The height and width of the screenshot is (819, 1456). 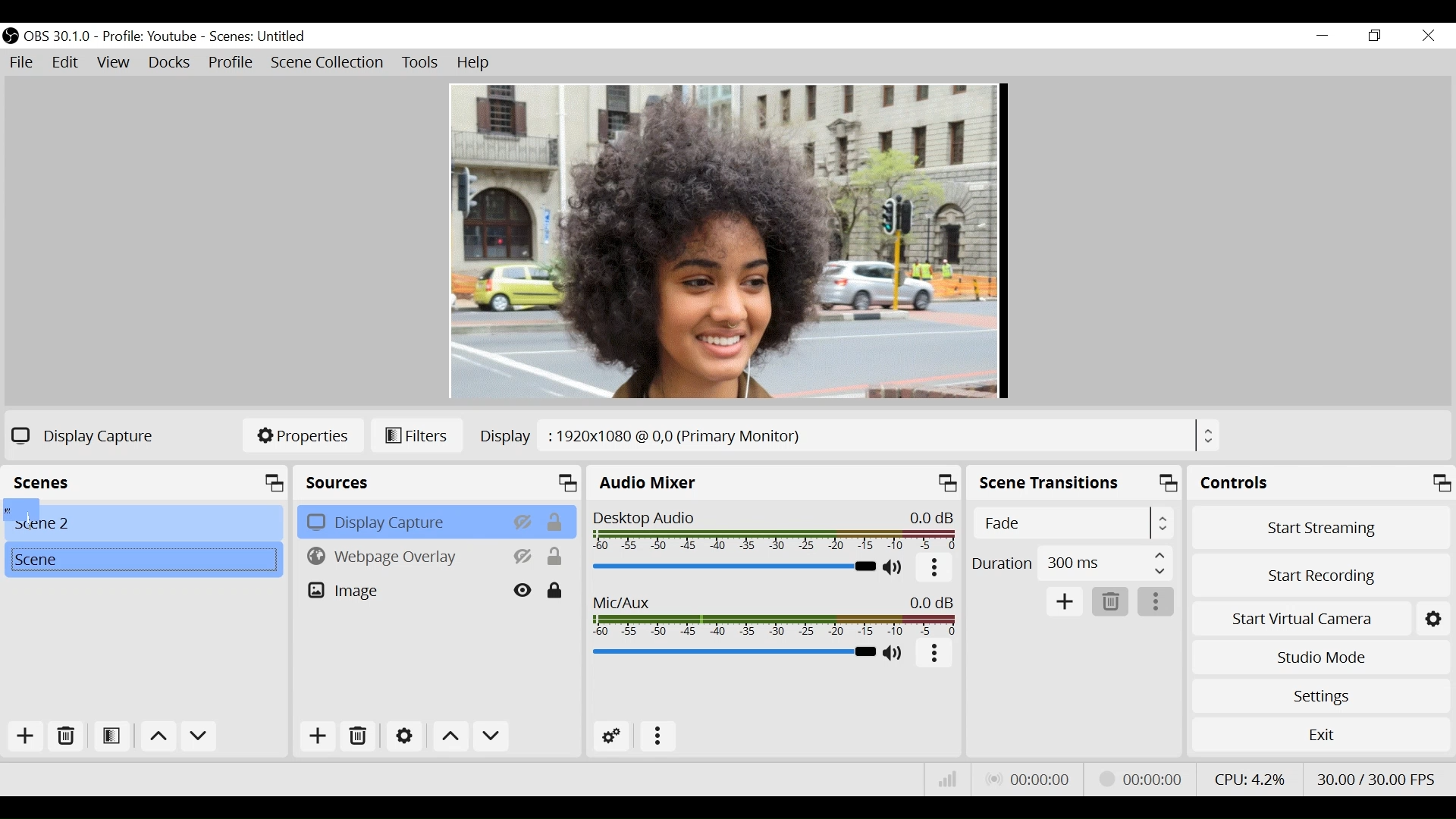 What do you see at coordinates (732, 652) in the screenshot?
I see `Mic/Aux` at bounding box center [732, 652].